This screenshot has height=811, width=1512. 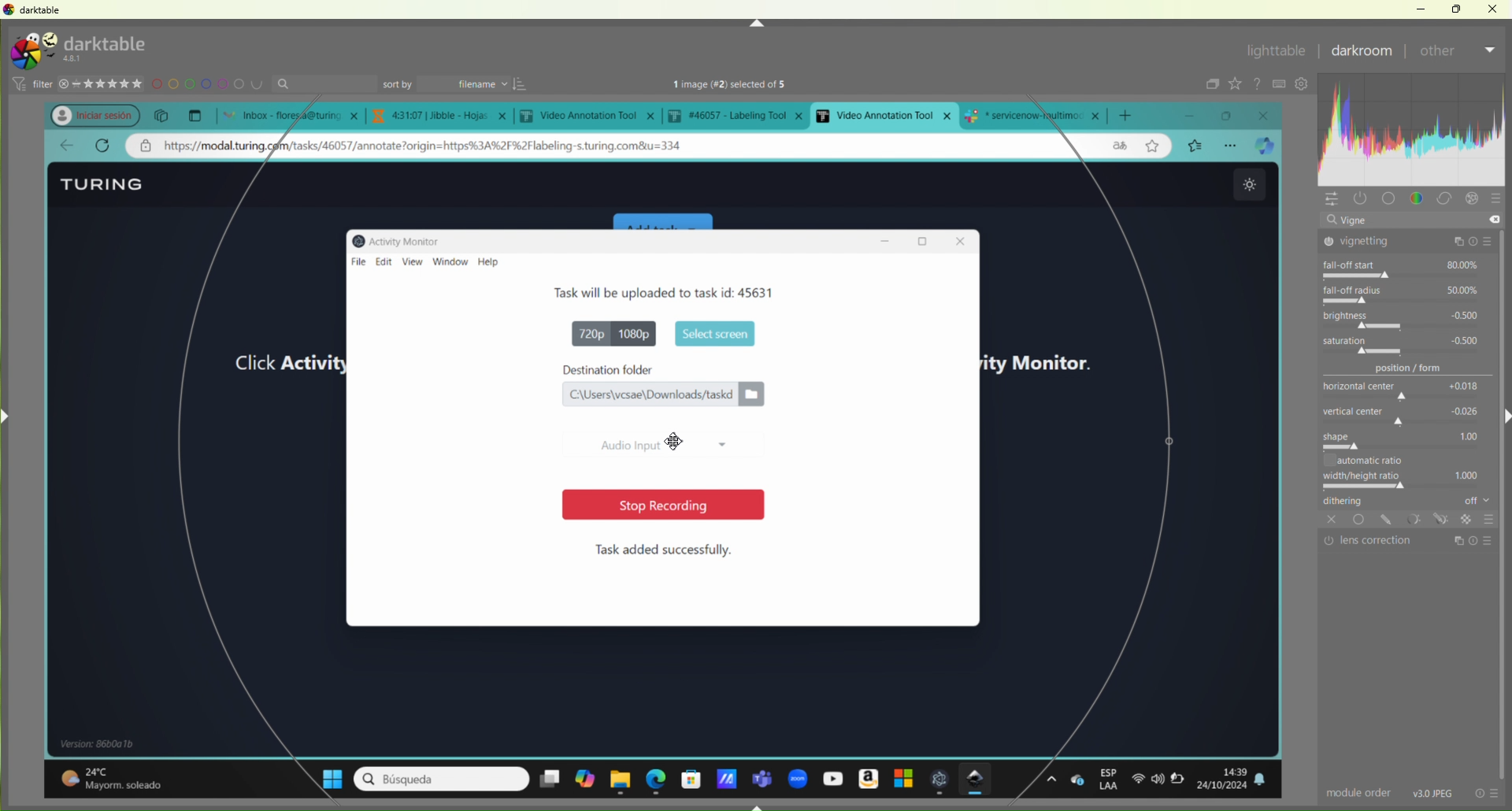 I want to click on 1080p, so click(x=638, y=333).